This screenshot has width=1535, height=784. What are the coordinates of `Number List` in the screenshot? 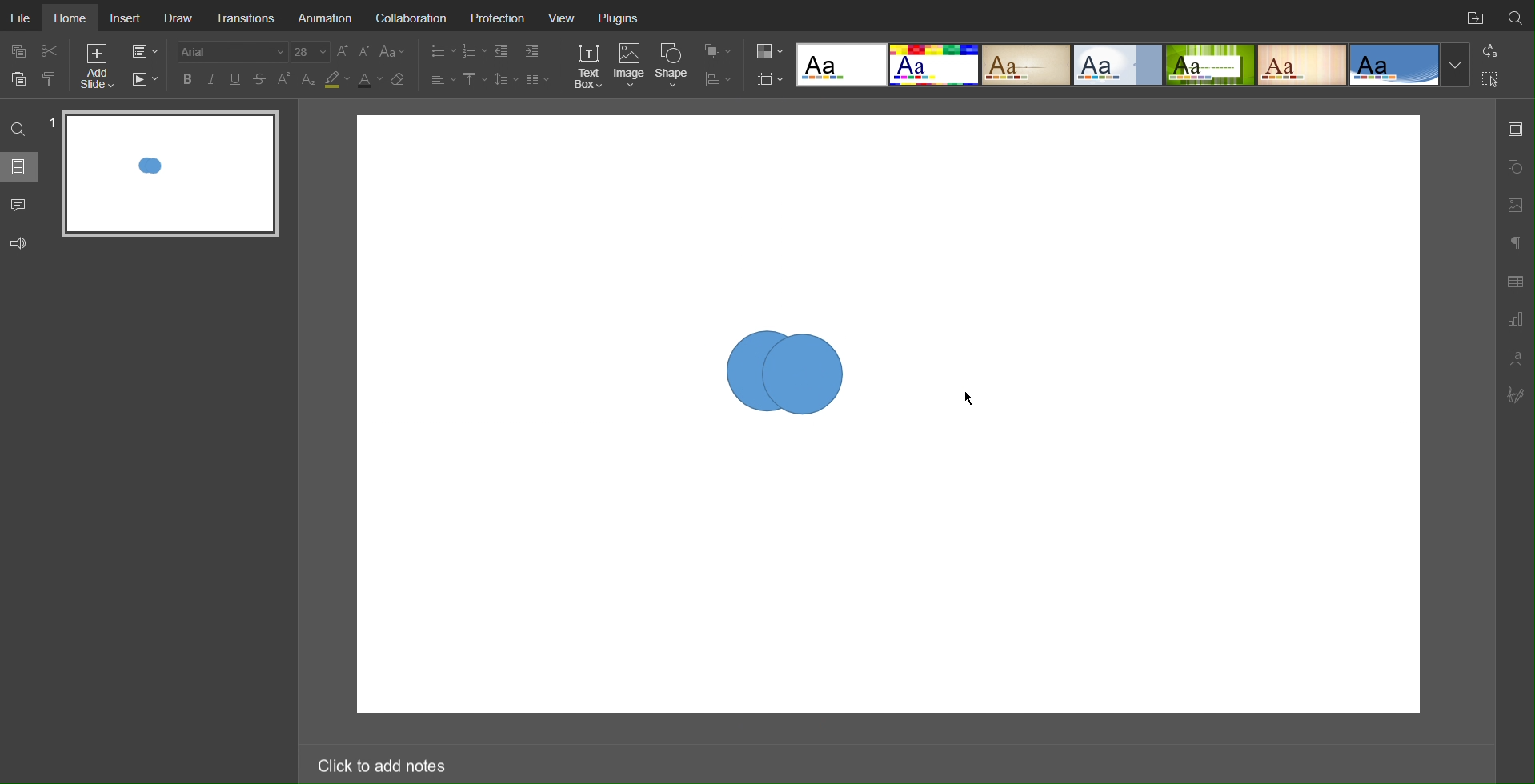 It's located at (474, 51).